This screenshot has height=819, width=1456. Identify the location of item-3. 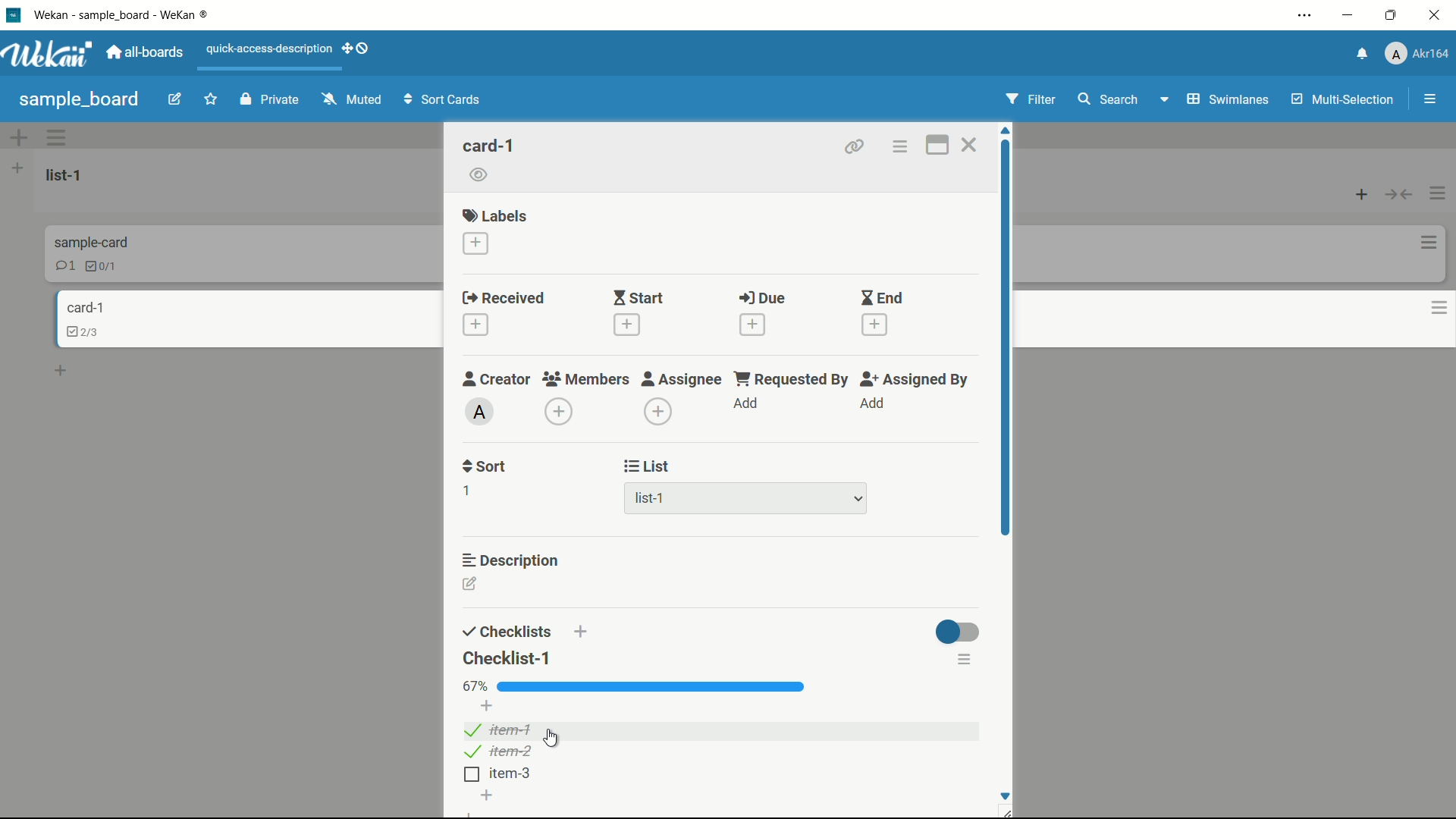
(512, 774).